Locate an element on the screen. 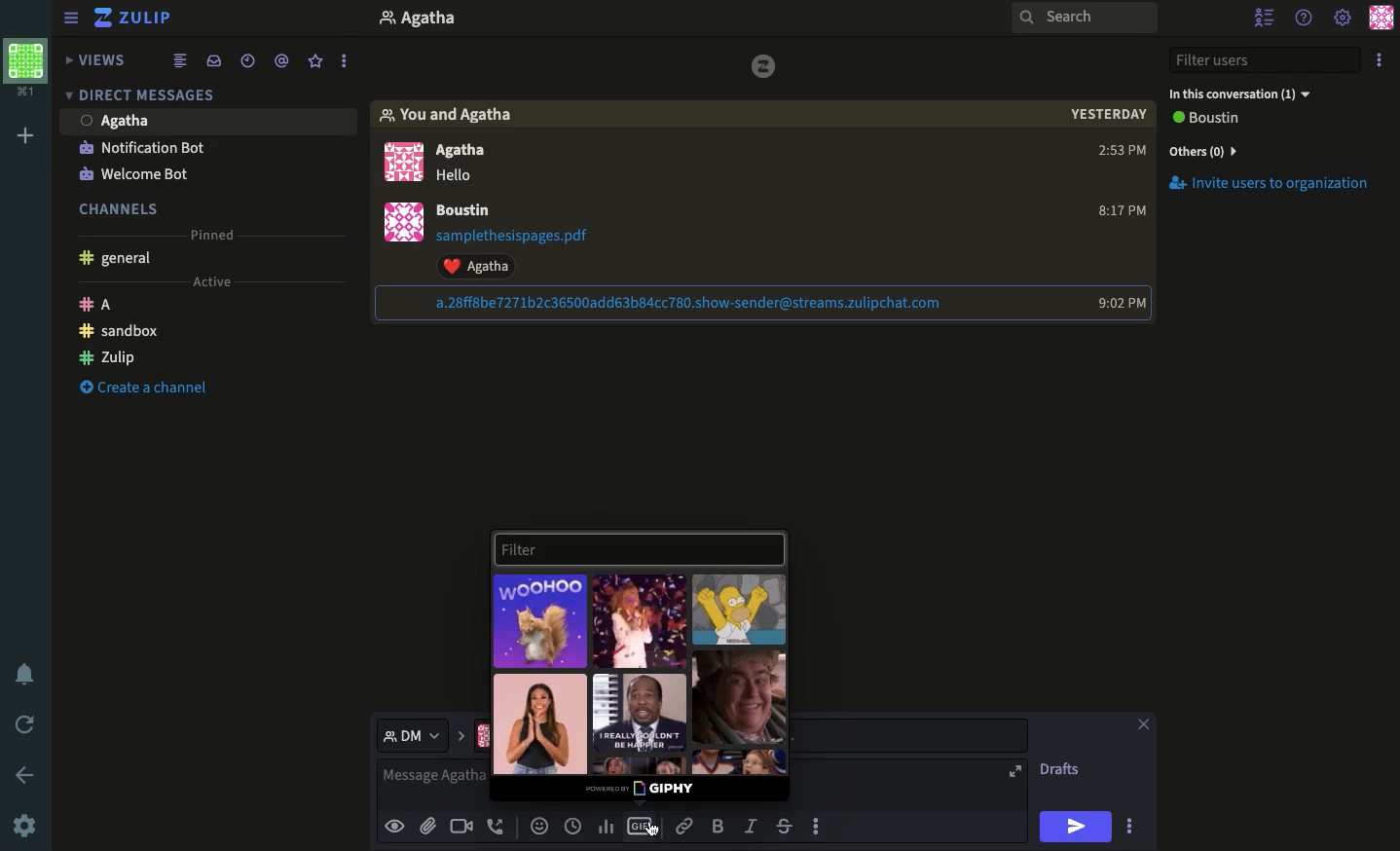  DM is located at coordinates (424, 736).